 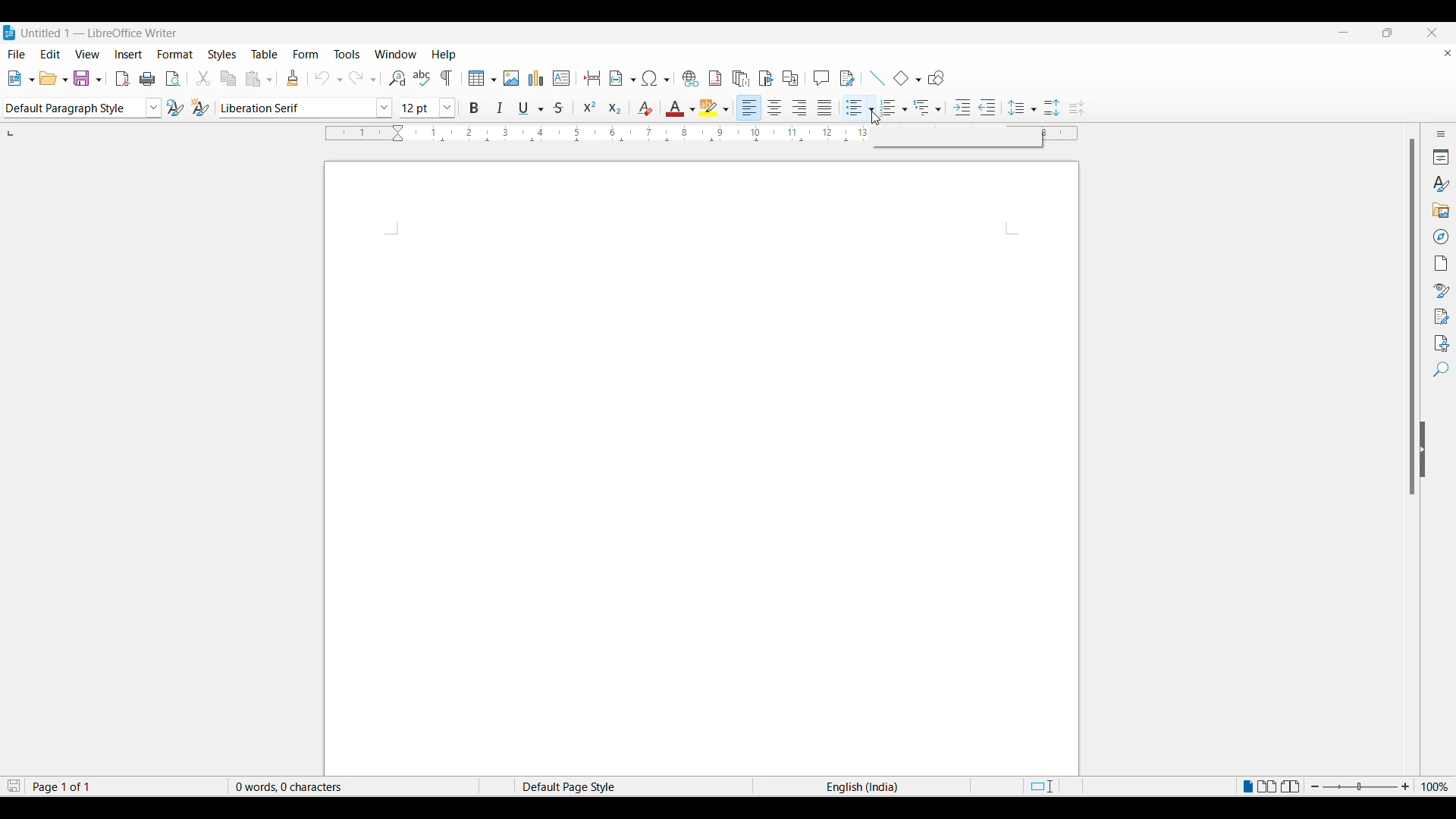 I want to click on Manage changes, so click(x=1442, y=315).